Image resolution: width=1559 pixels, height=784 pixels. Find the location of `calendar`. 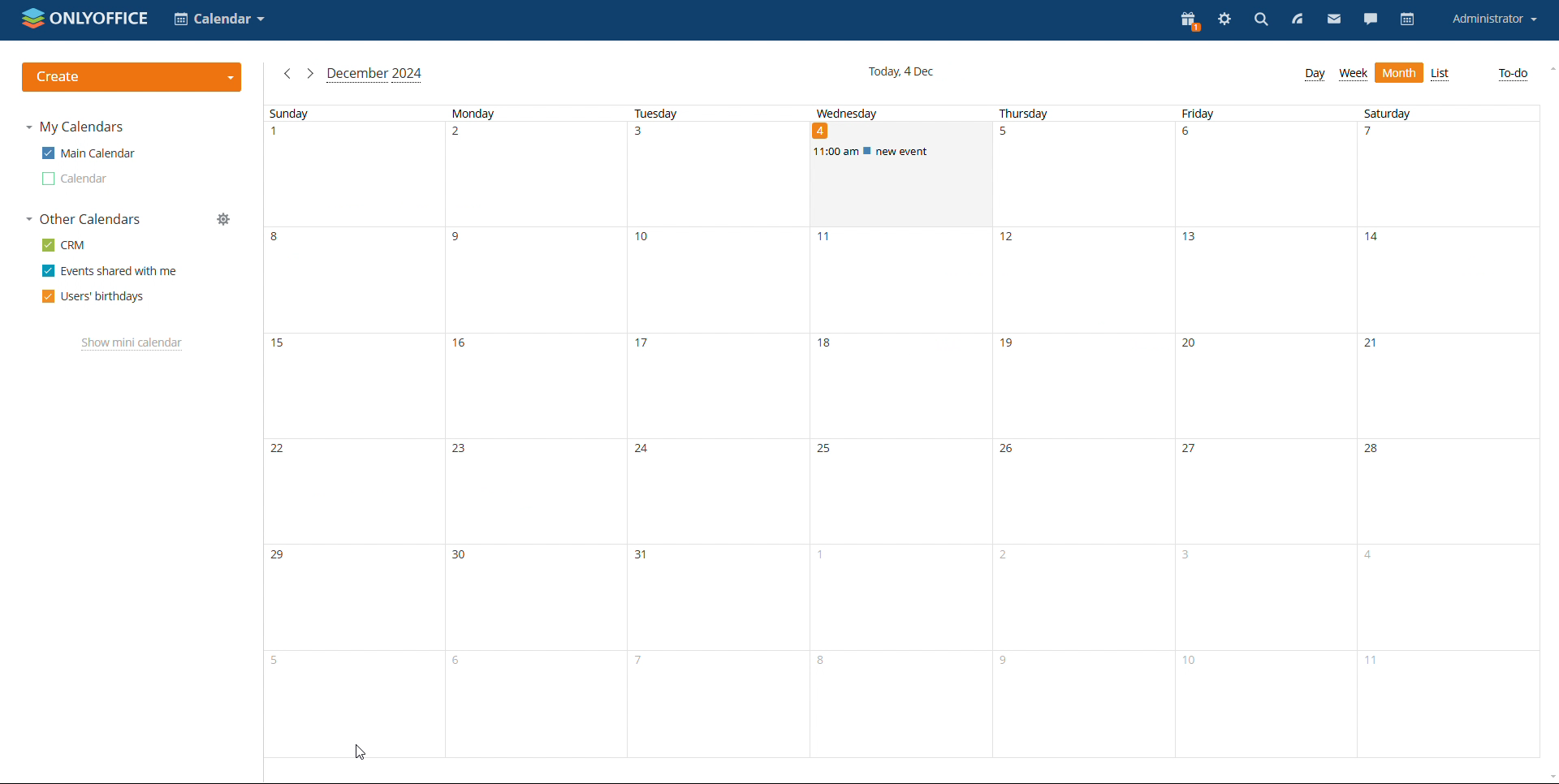

calendar is located at coordinates (74, 179).